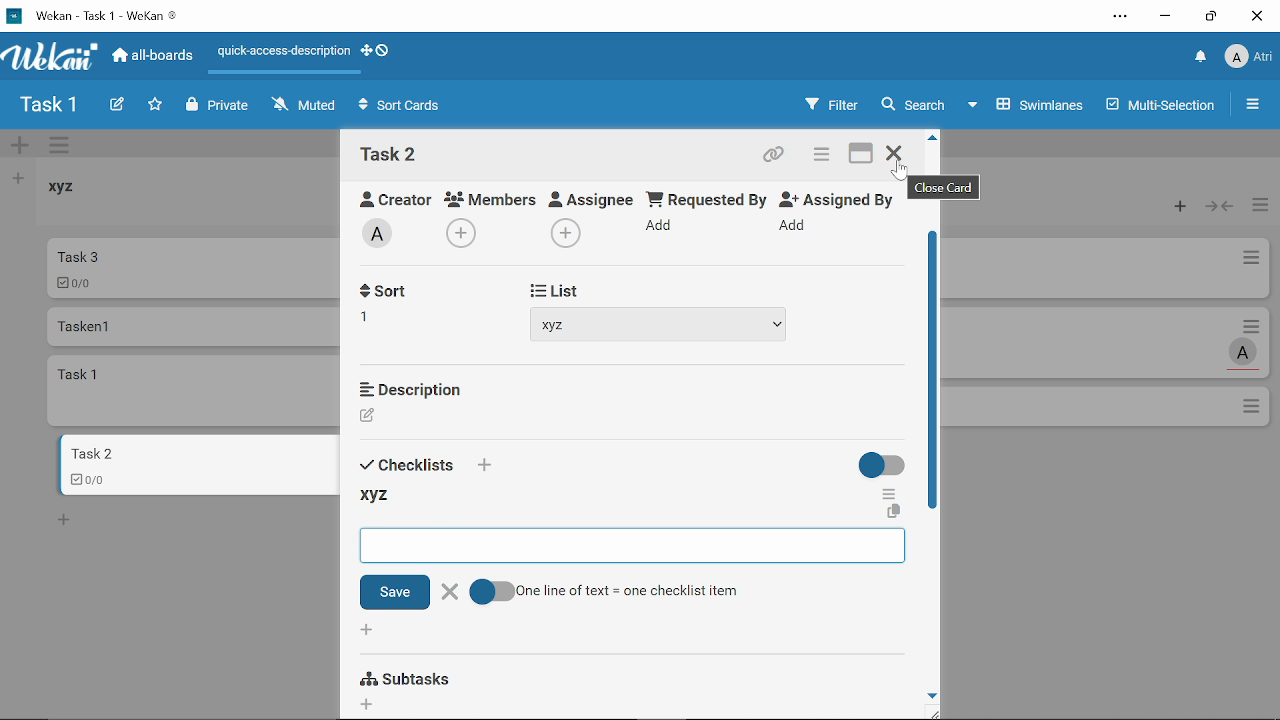 This screenshot has height=720, width=1280. What do you see at coordinates (409, 465) in the screenshot?
I see `Sort` at bounding box center [409, 465].